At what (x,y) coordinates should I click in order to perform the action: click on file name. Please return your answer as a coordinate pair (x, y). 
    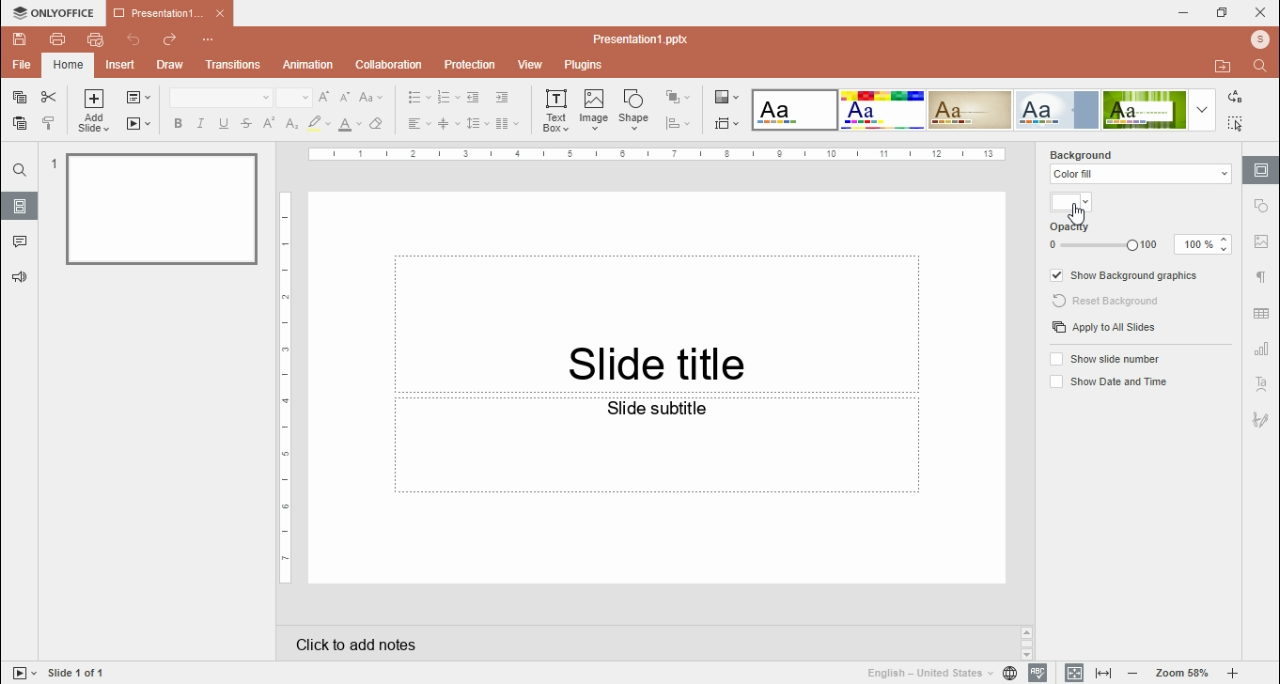
    Looking at the image, I should click on (650, 37).